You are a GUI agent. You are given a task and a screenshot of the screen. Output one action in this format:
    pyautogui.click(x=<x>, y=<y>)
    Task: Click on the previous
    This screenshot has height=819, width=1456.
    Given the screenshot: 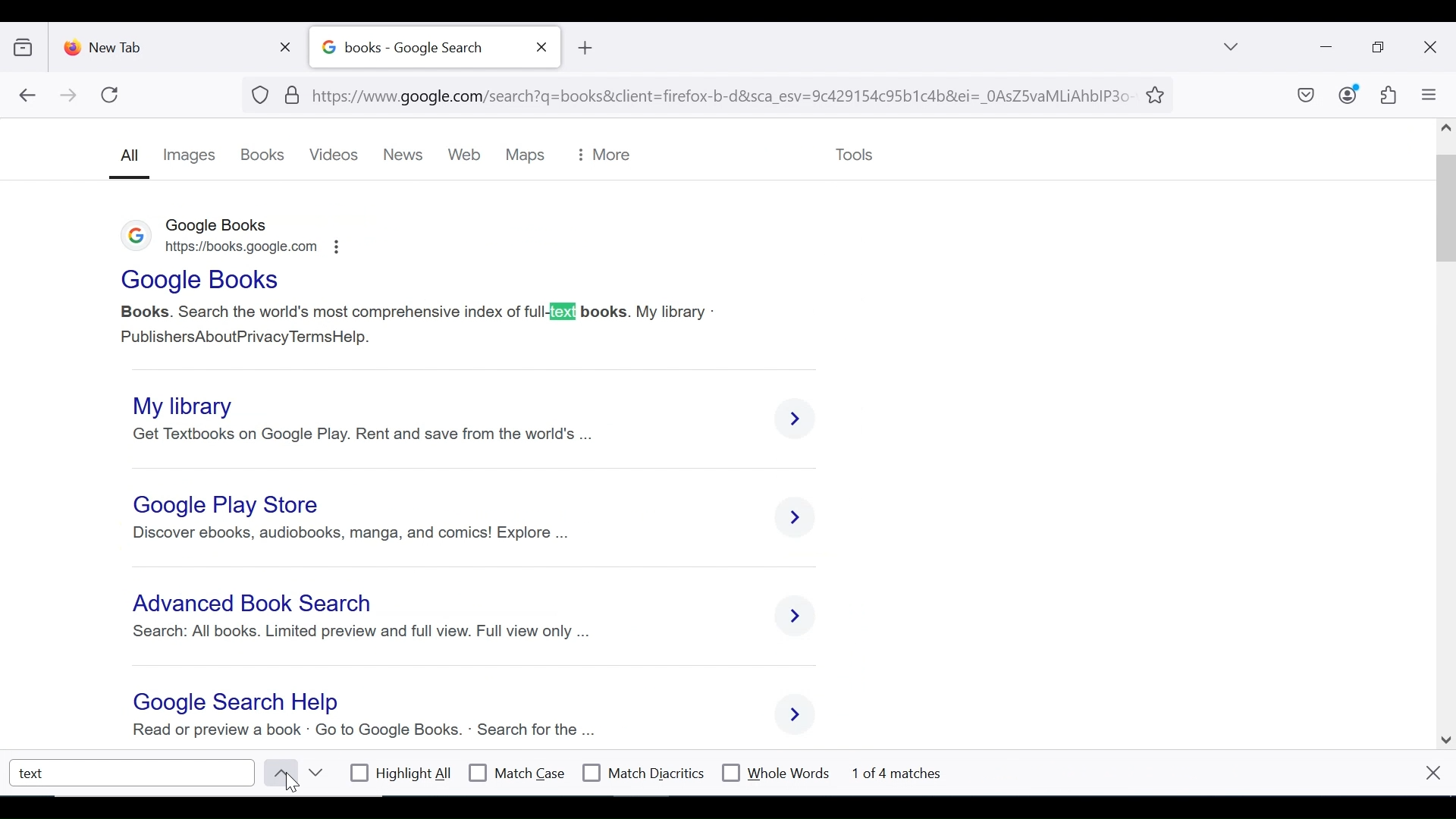 What is the action you would take?
    pyautogui.click(x=278, y=773)
    